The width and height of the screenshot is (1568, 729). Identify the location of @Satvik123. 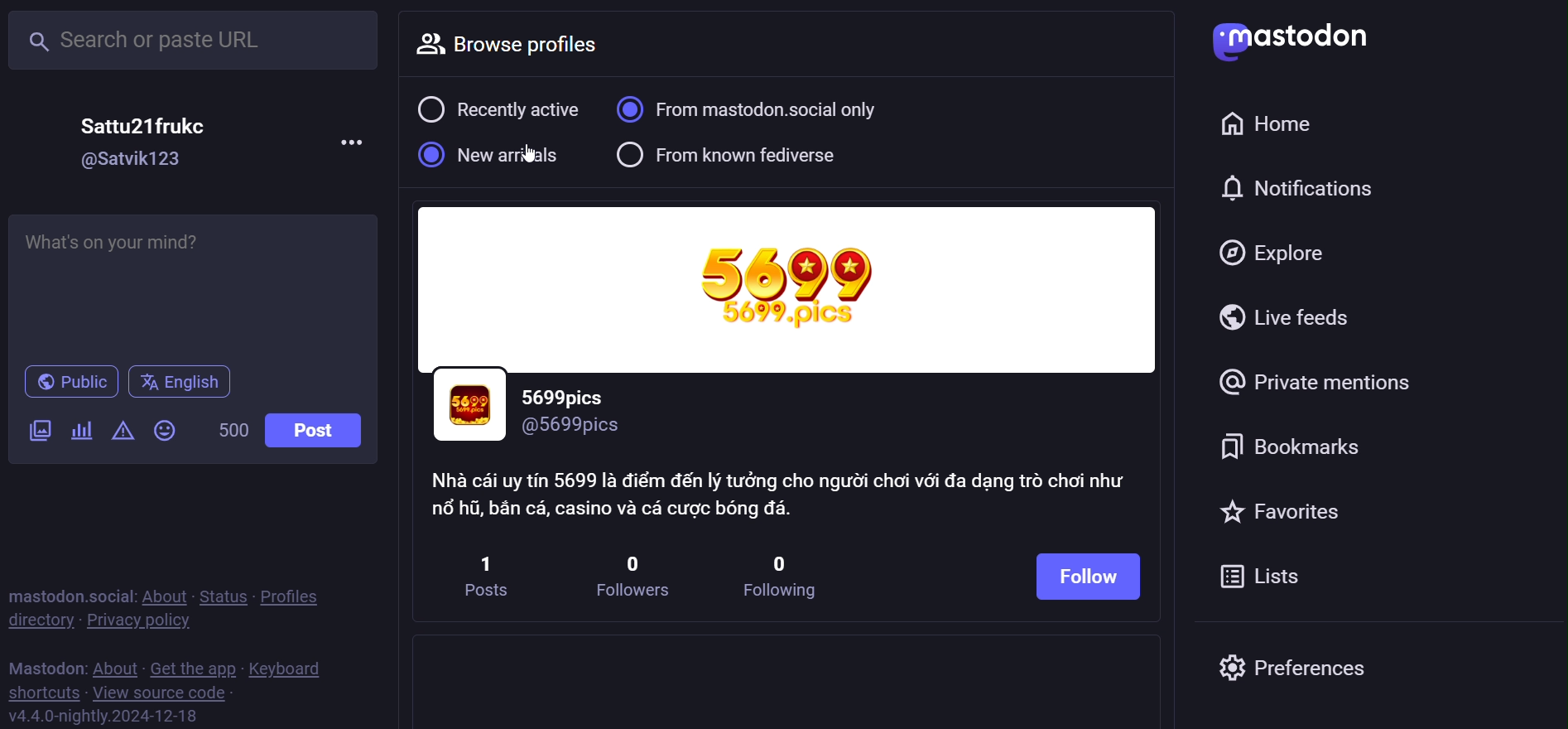
(138, 164).